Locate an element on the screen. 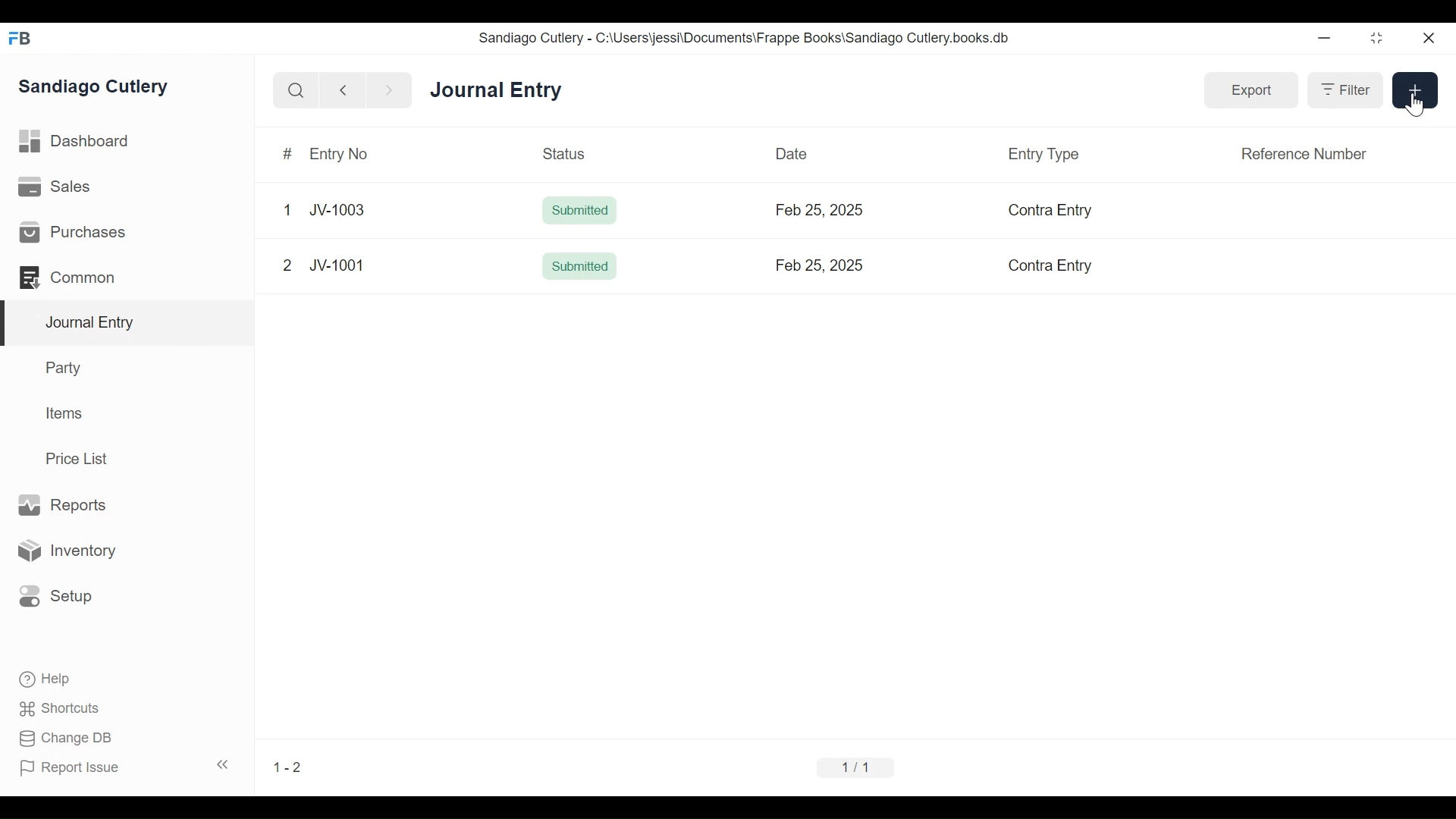 The height and width of the screenshot is (819, 1456). Contra Entry is located at coordinates (1040, 267).